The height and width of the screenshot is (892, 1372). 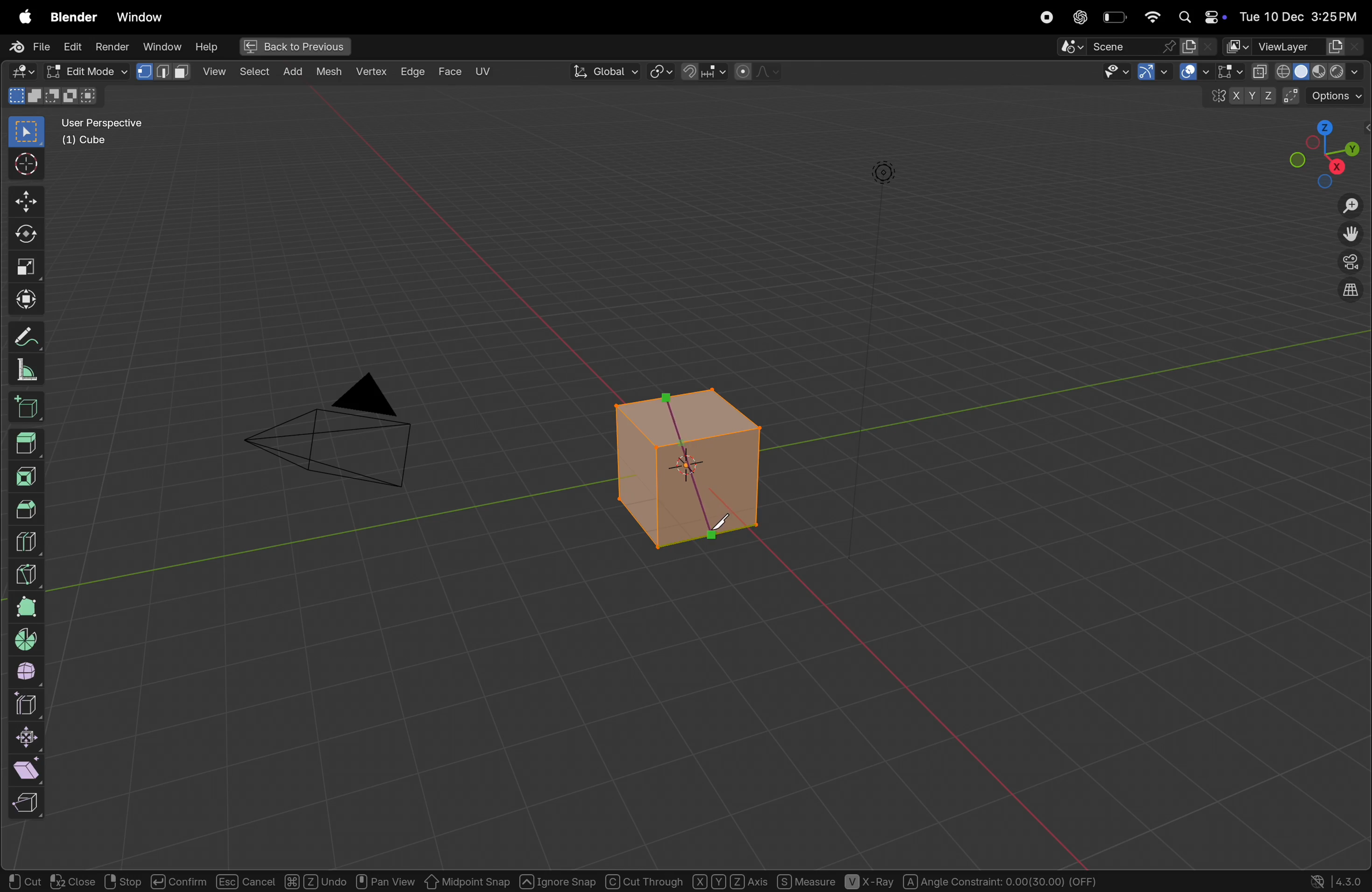 I want to click on Window, so click(x=139, y=17).